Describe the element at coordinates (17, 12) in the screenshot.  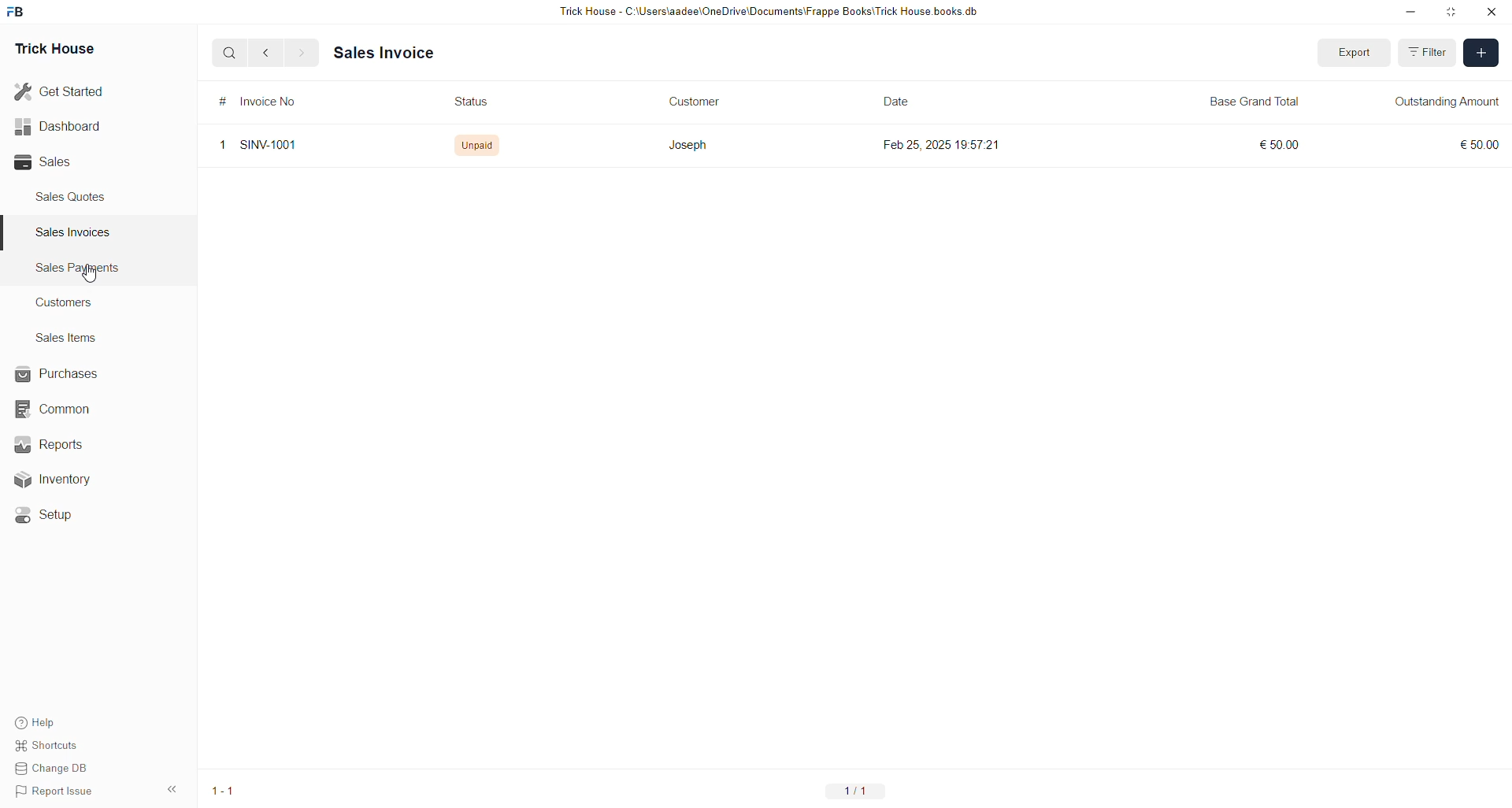
I see `logo` at that location.